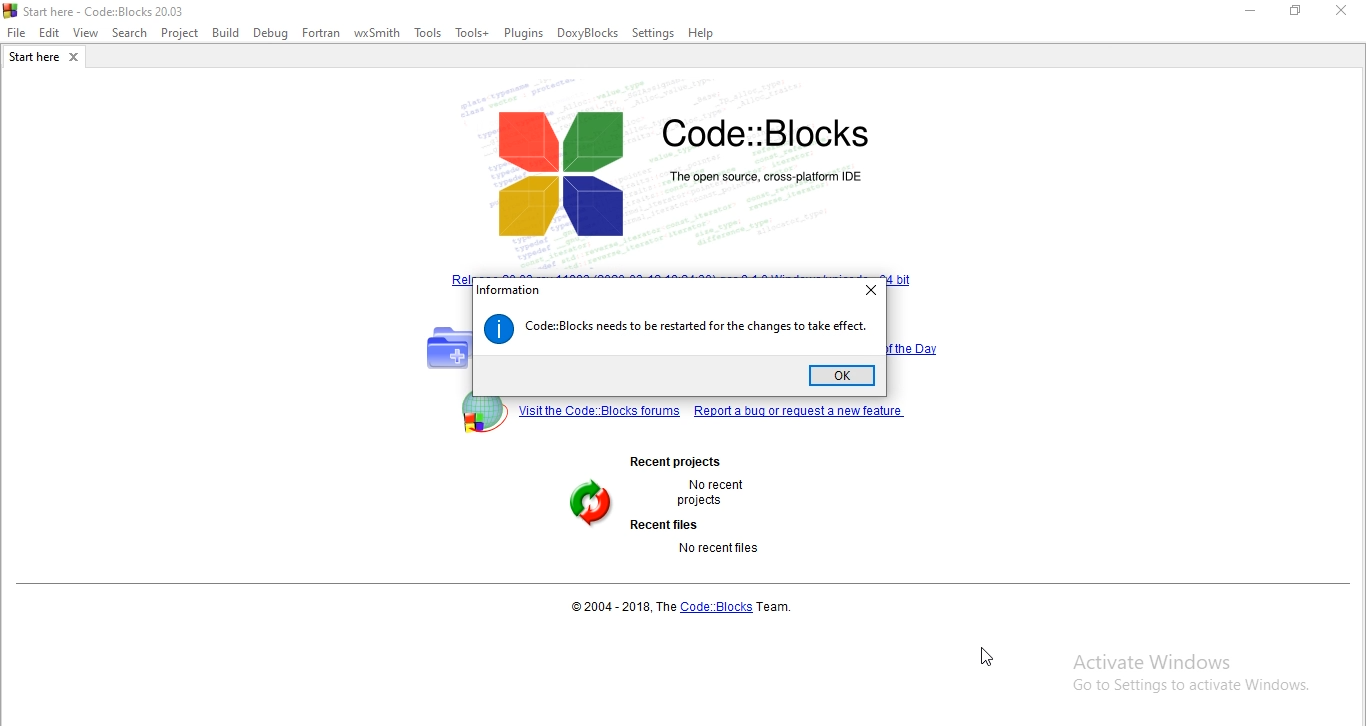 This screenshot has width=1366, height=726. What do you see at coordinates (225, 32) in the screenshot?
I see `Bulid` at bounding box center [225, 32].